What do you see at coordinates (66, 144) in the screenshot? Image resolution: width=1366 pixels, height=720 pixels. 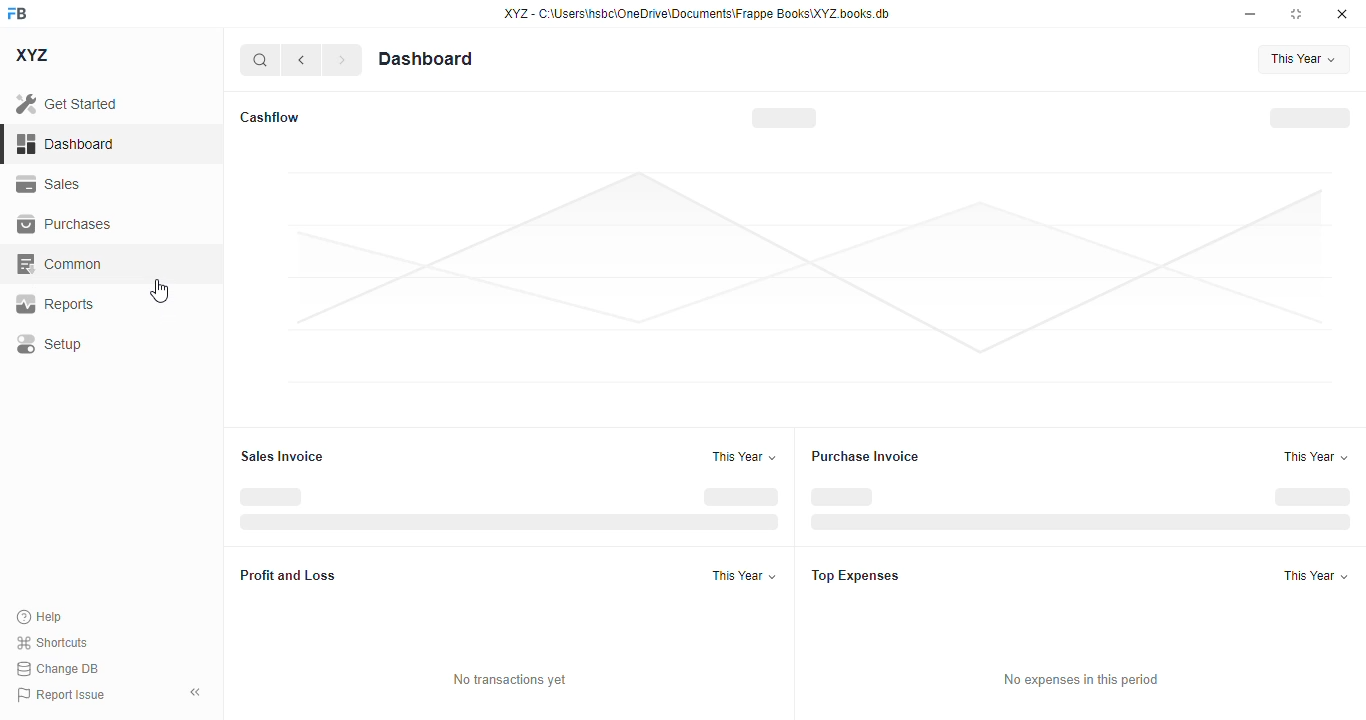 I see `dashboard` at bounding box center [66, 144].